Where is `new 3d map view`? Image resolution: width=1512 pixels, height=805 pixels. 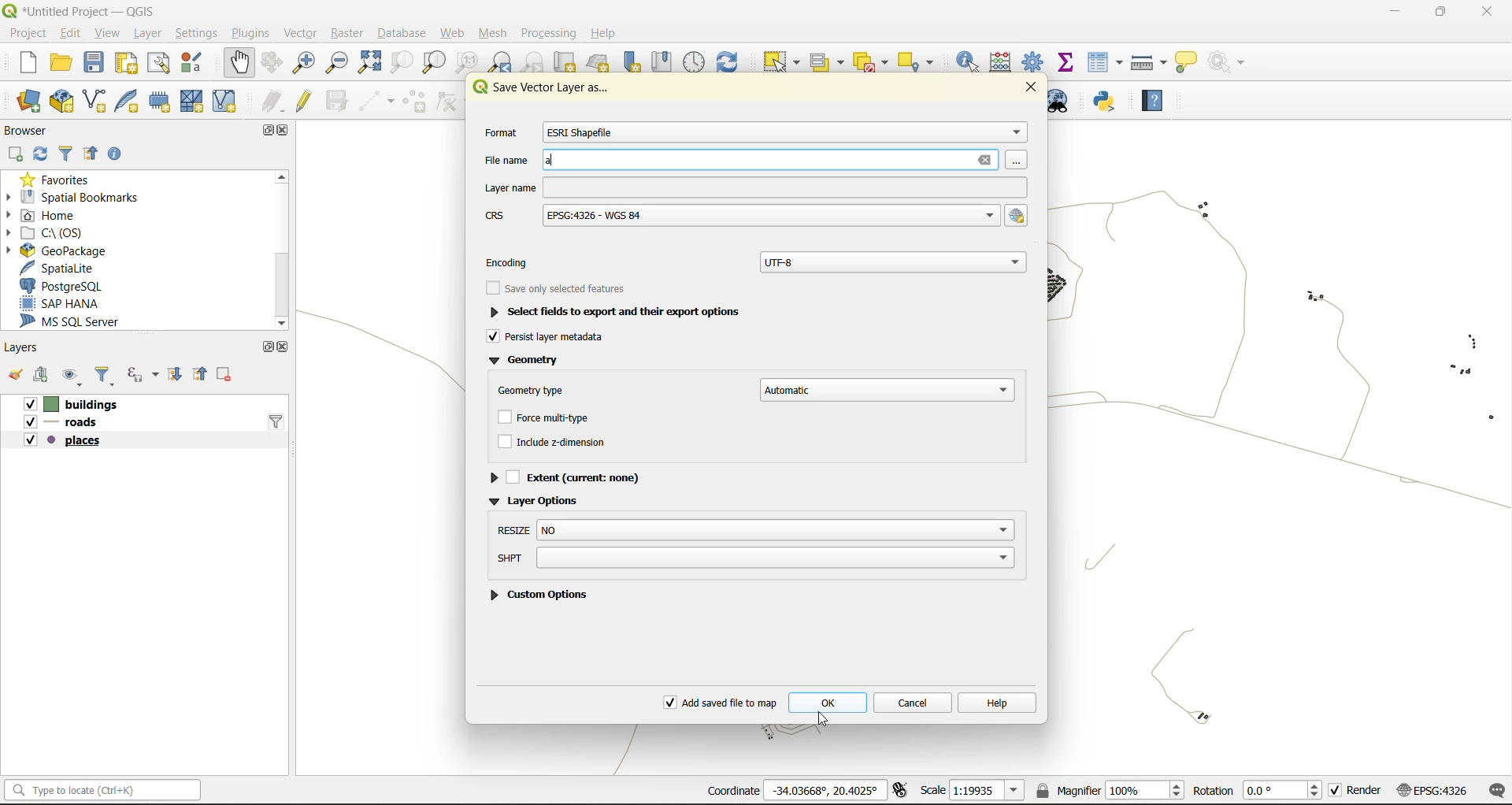
new 3d map view is located at coordinates (600, 64).